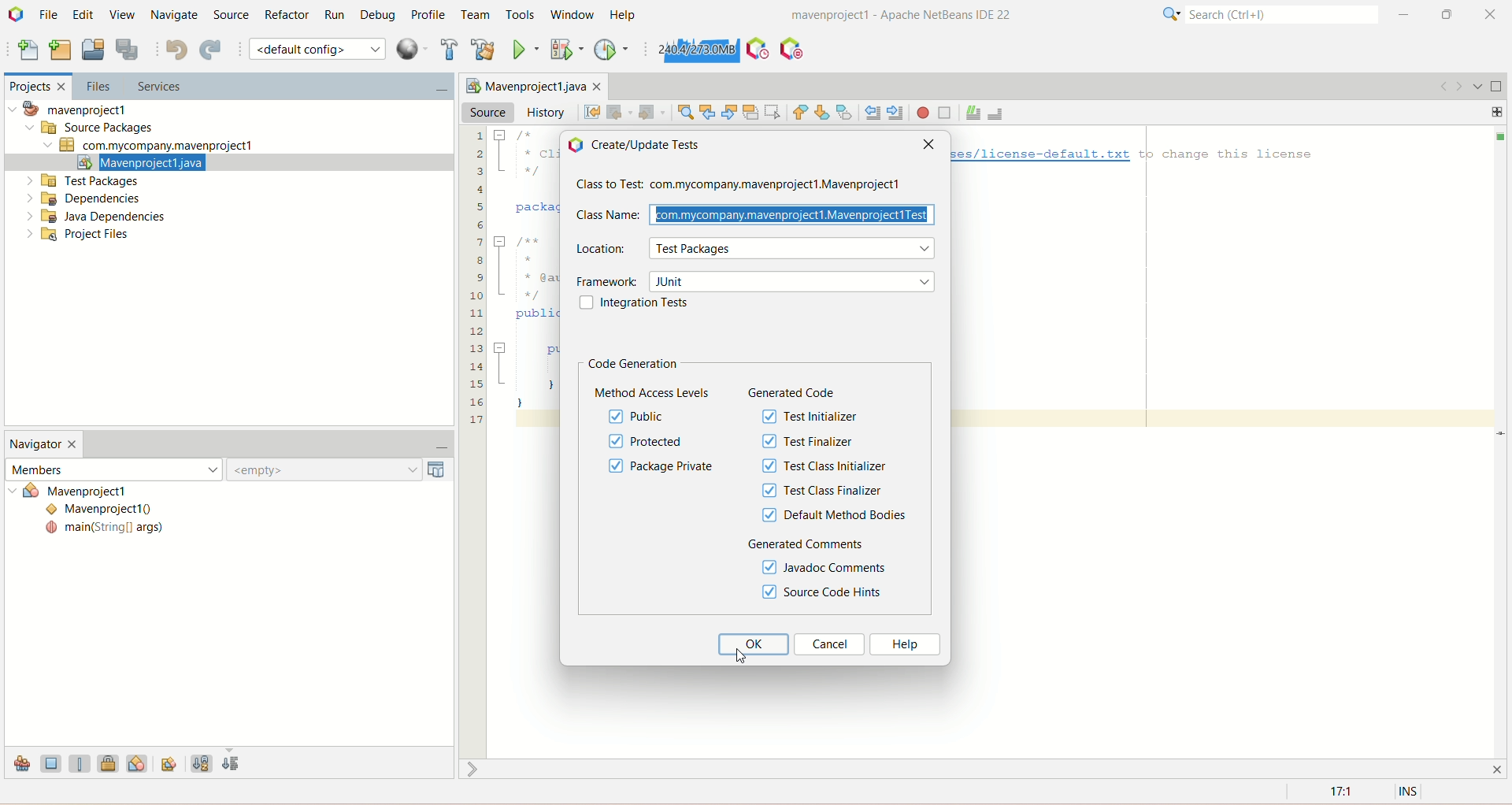  Describe the element at coordinates (832, 466) in the screenshot. I see `test class initializer` at that location.